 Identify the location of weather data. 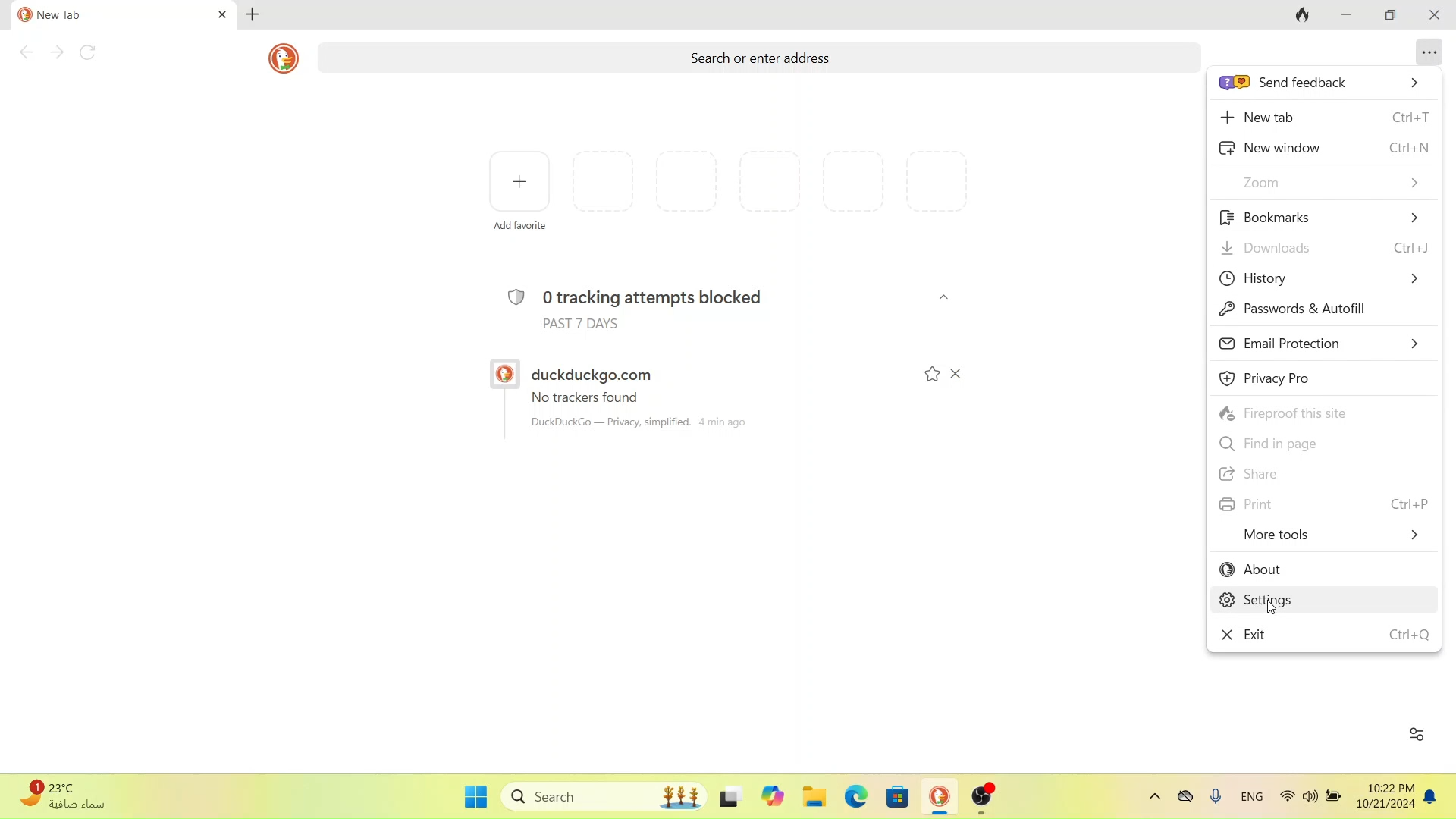
(64, 795).